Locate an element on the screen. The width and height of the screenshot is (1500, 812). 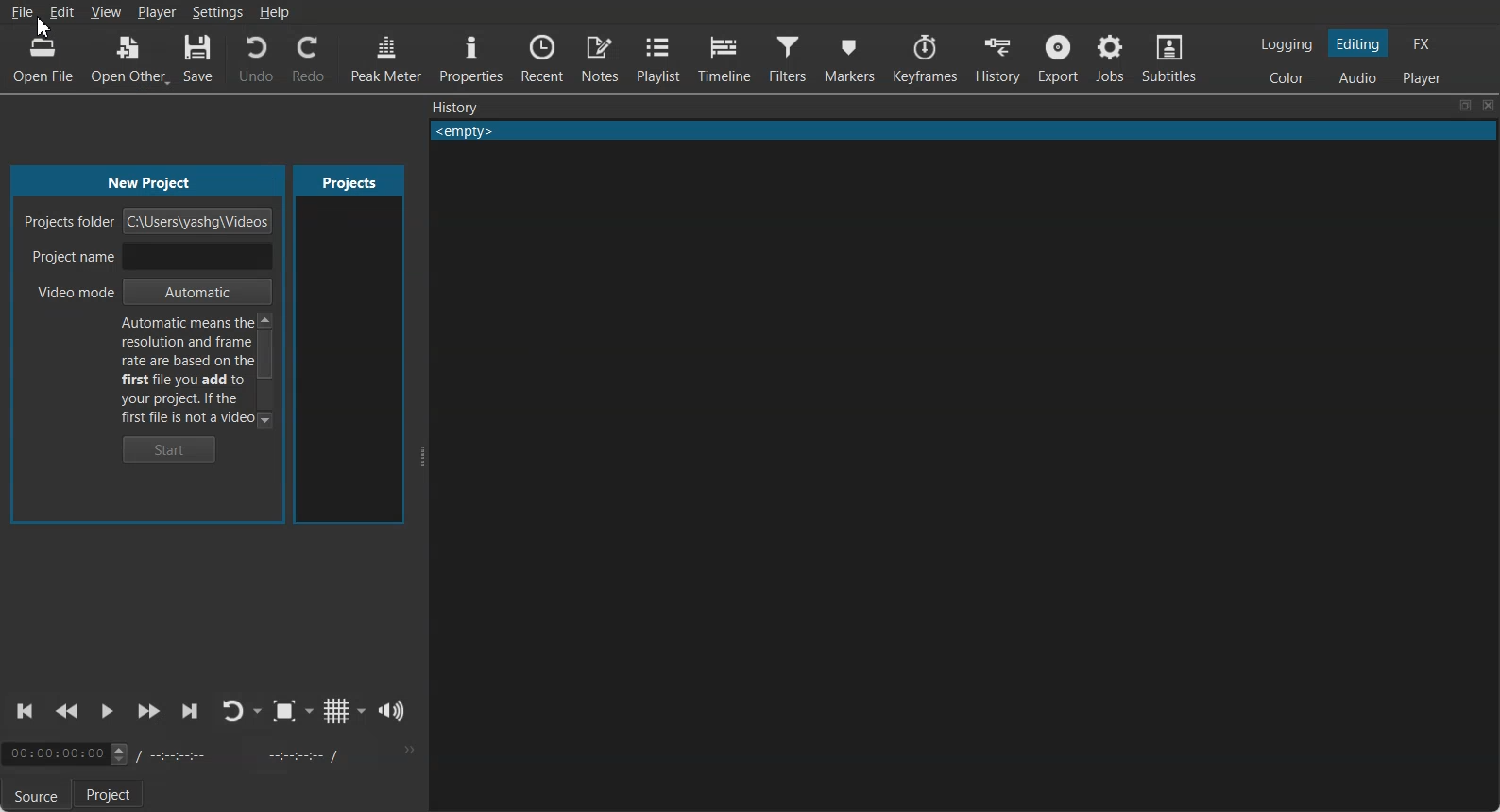
History is located at coordinates (997, 59).